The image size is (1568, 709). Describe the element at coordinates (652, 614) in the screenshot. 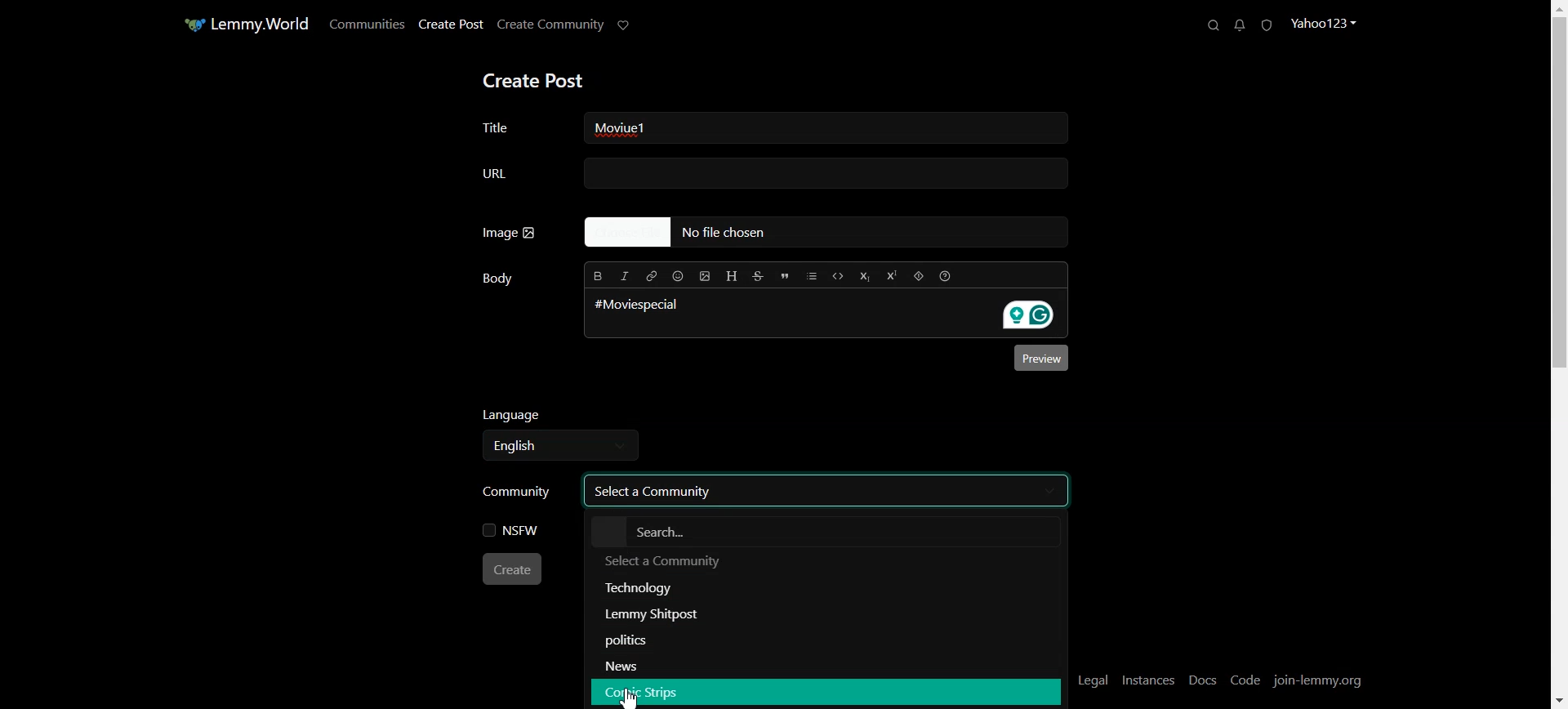

I see `Lemmy Shitpost` at that location.